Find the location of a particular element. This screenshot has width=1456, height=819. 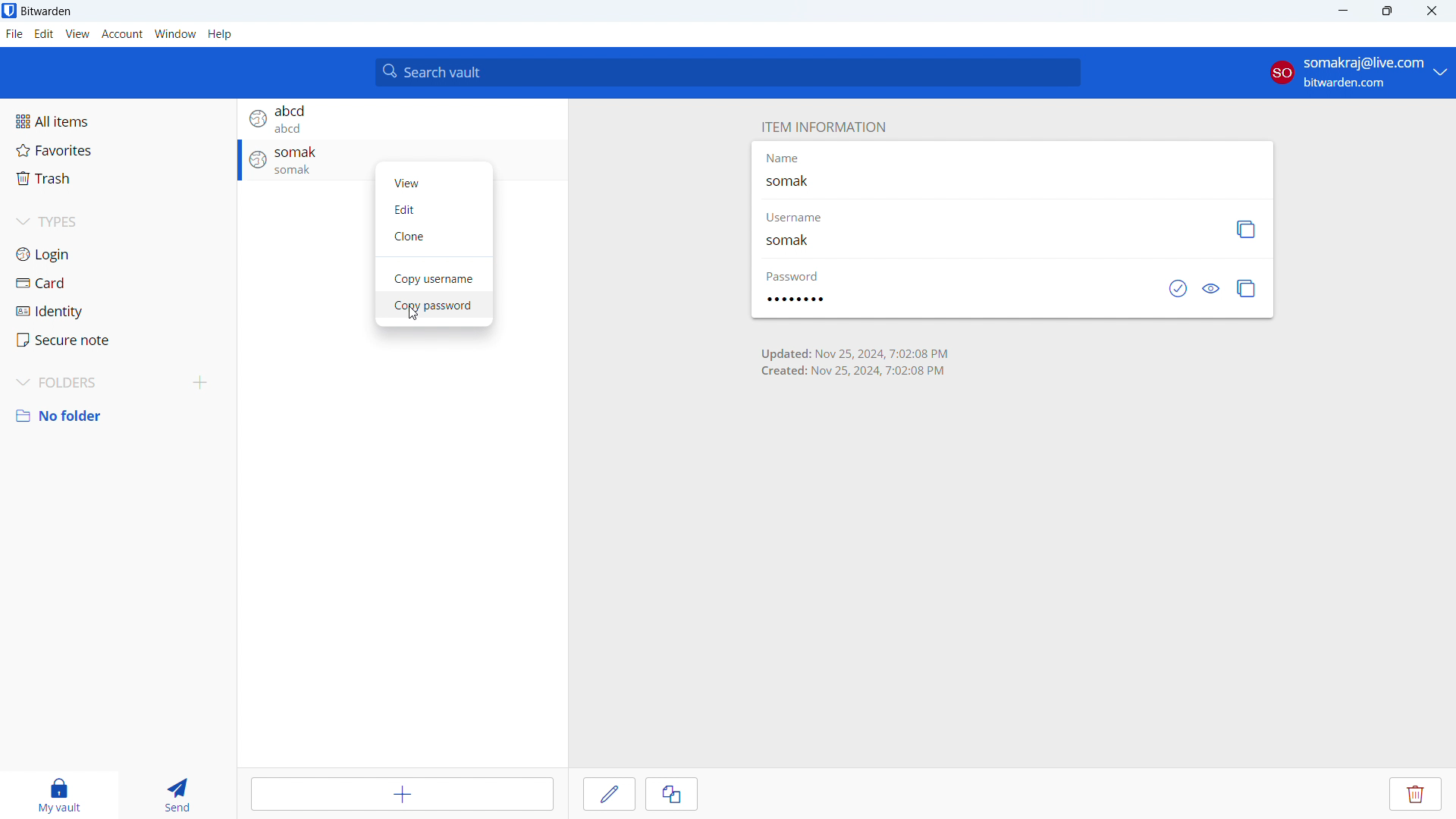

types is located at coordinates (118, 222).